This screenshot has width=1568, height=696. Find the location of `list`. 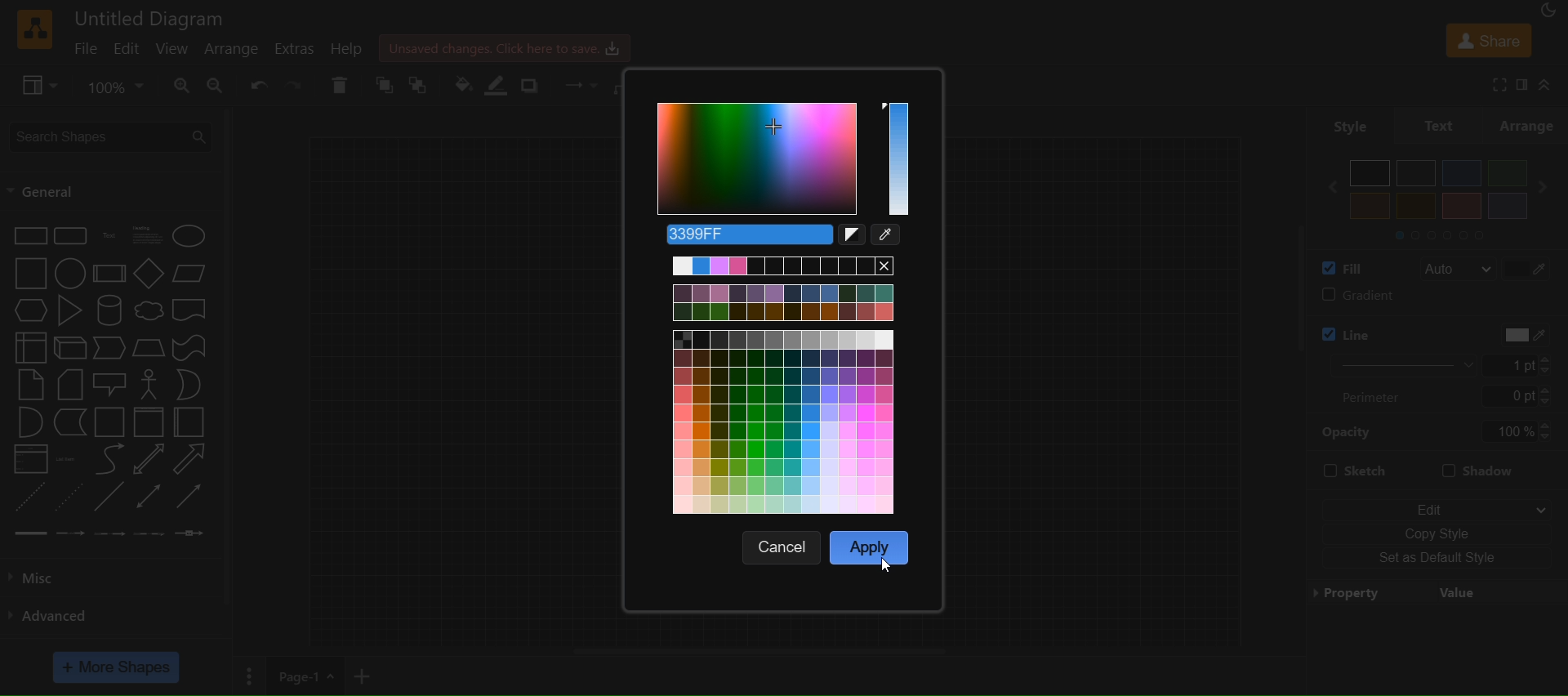

list is located at coordinates (29, 461).